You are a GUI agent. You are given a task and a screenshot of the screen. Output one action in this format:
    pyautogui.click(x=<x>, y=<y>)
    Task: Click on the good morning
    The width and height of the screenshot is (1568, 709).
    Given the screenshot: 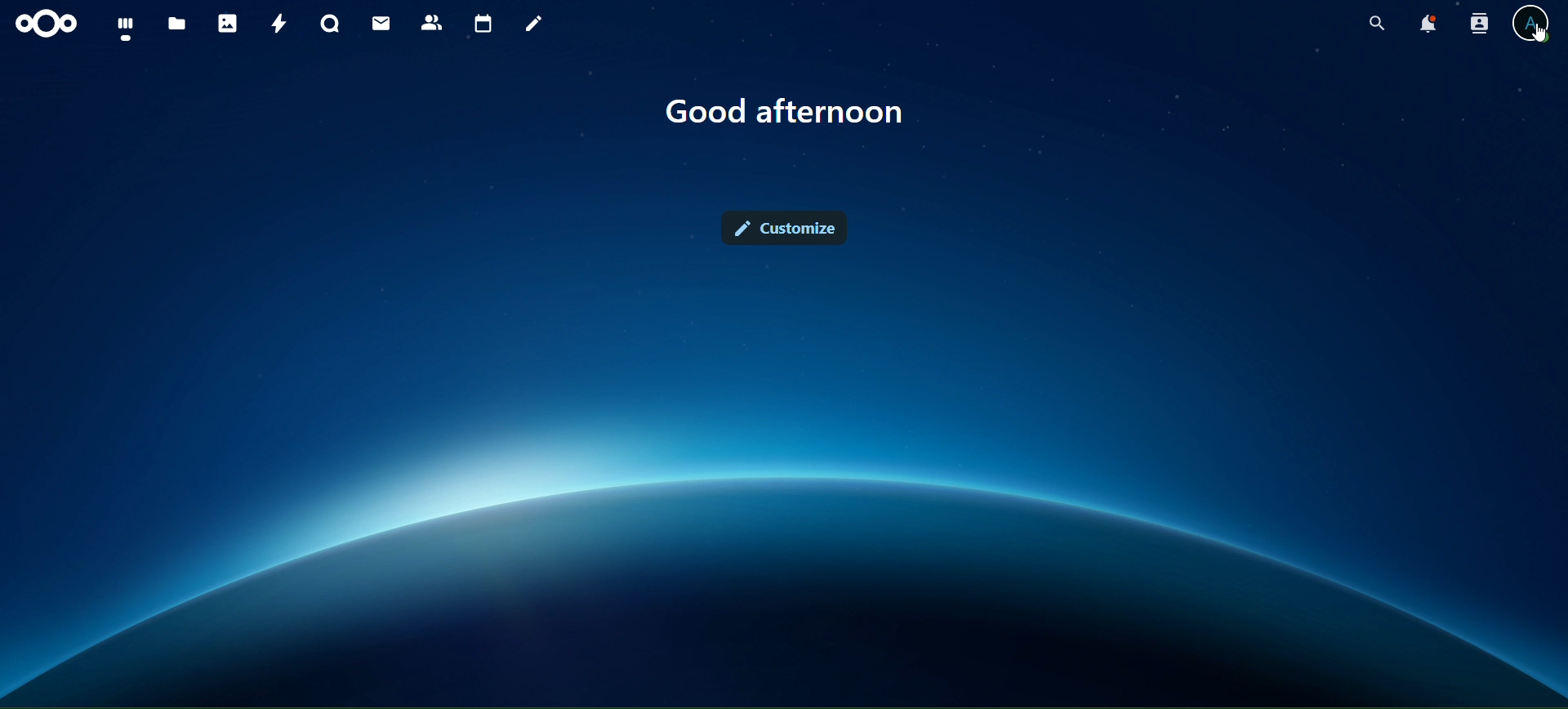 What is the action you would take?
    pyautogui.click(x=788, y=111)
    